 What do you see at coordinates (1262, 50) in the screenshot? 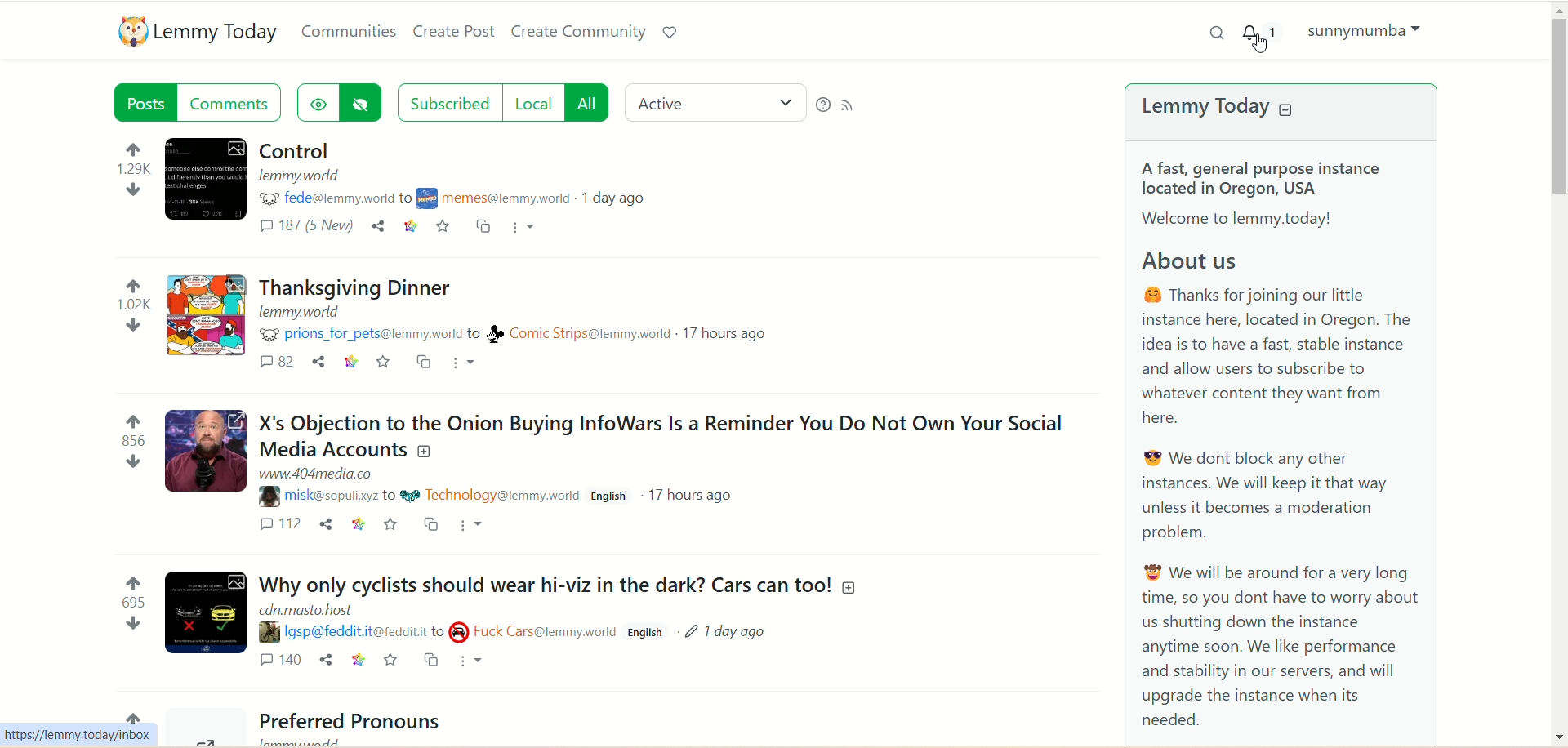
I see `Pointer` at bounding box center [1262, 50].